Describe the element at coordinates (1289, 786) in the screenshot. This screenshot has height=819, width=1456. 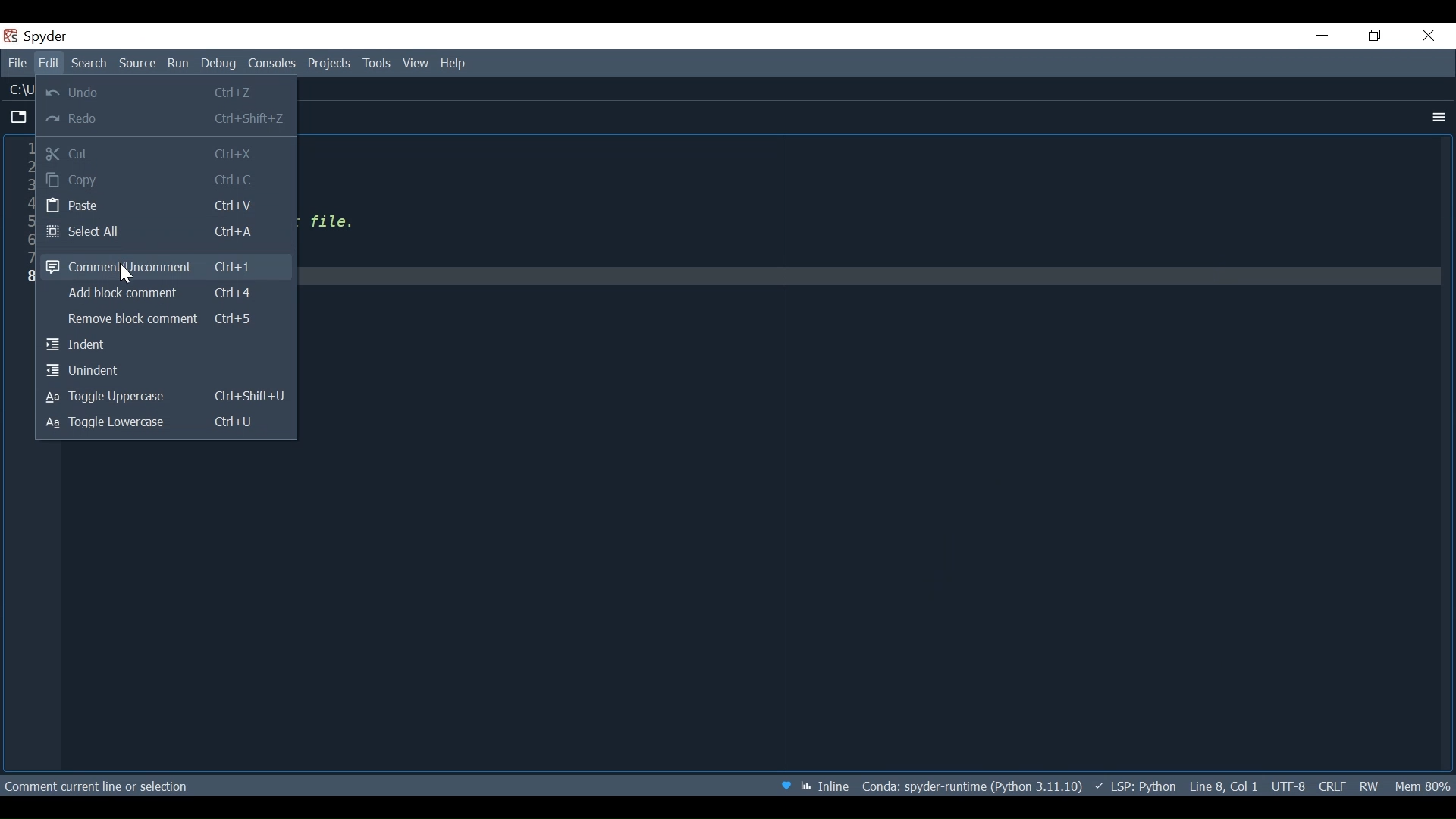
I see `File Encoding` at that location.